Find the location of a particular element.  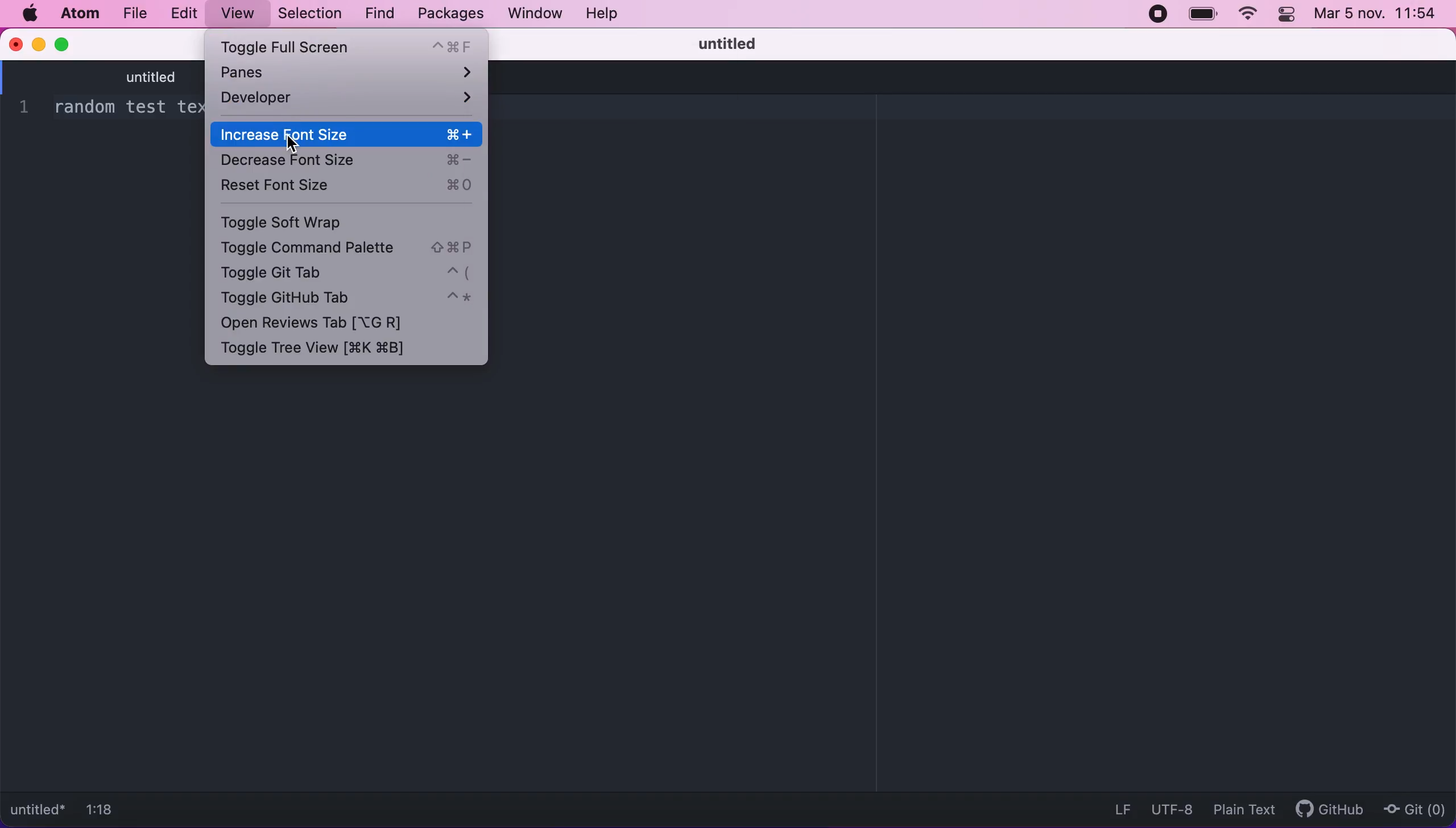

file title is located at coordinates (39, 812).